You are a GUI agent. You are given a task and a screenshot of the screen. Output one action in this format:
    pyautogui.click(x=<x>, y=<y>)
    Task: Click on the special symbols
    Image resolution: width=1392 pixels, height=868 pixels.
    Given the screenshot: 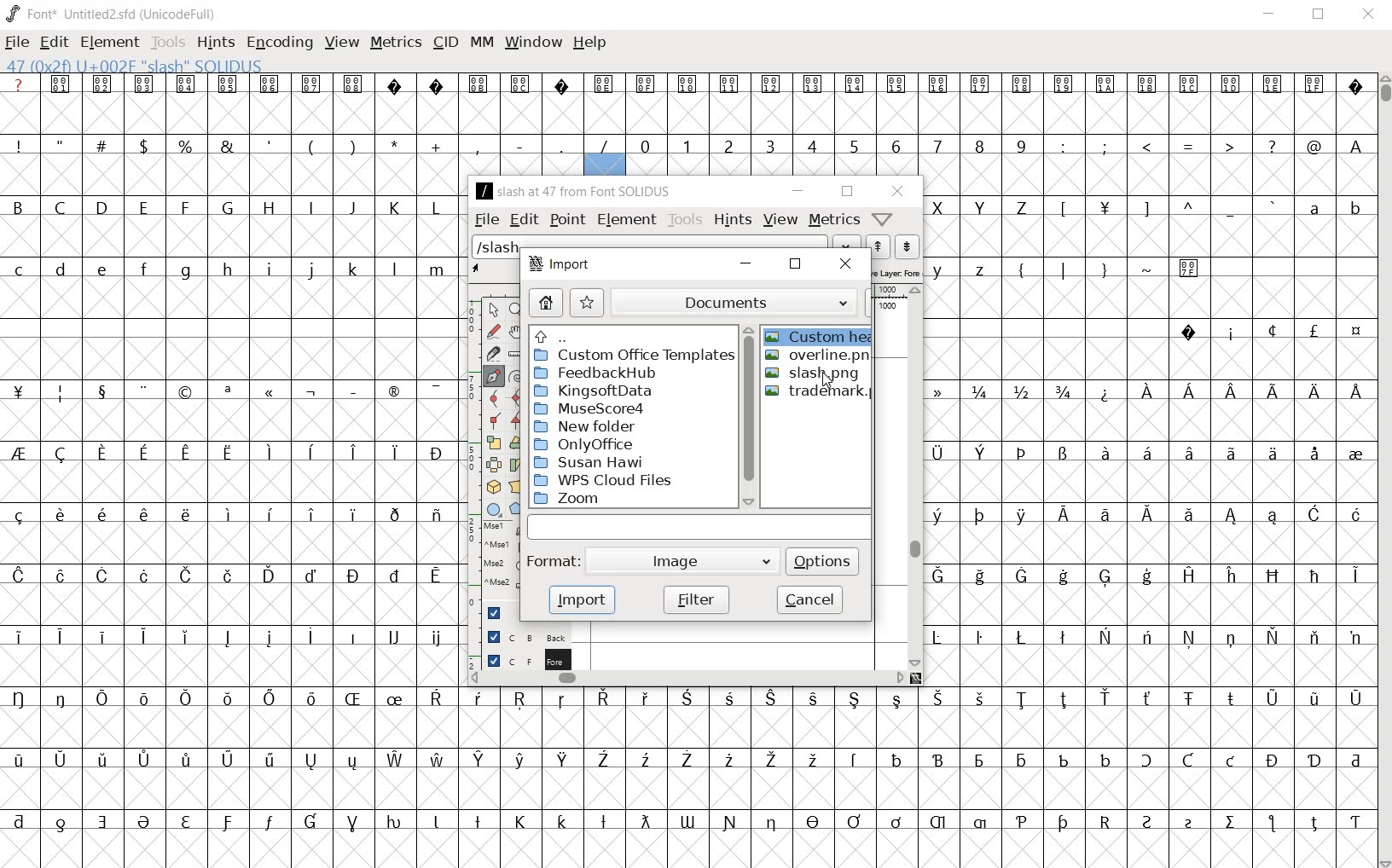 What is the action you would take?
    pyautogui.click(x=685, y=84)
    